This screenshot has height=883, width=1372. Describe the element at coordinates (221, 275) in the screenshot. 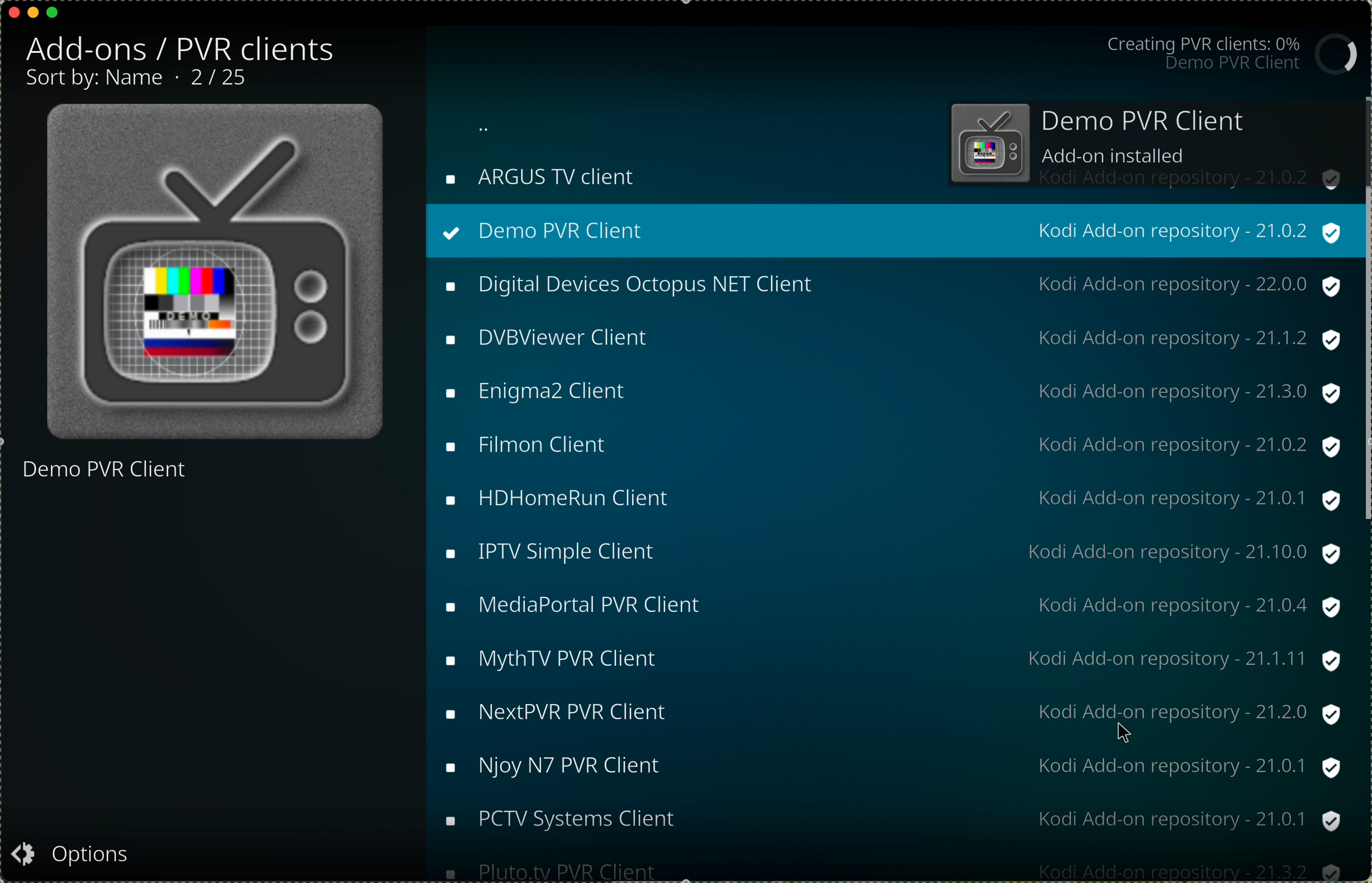

I see `LOGO` at that location.